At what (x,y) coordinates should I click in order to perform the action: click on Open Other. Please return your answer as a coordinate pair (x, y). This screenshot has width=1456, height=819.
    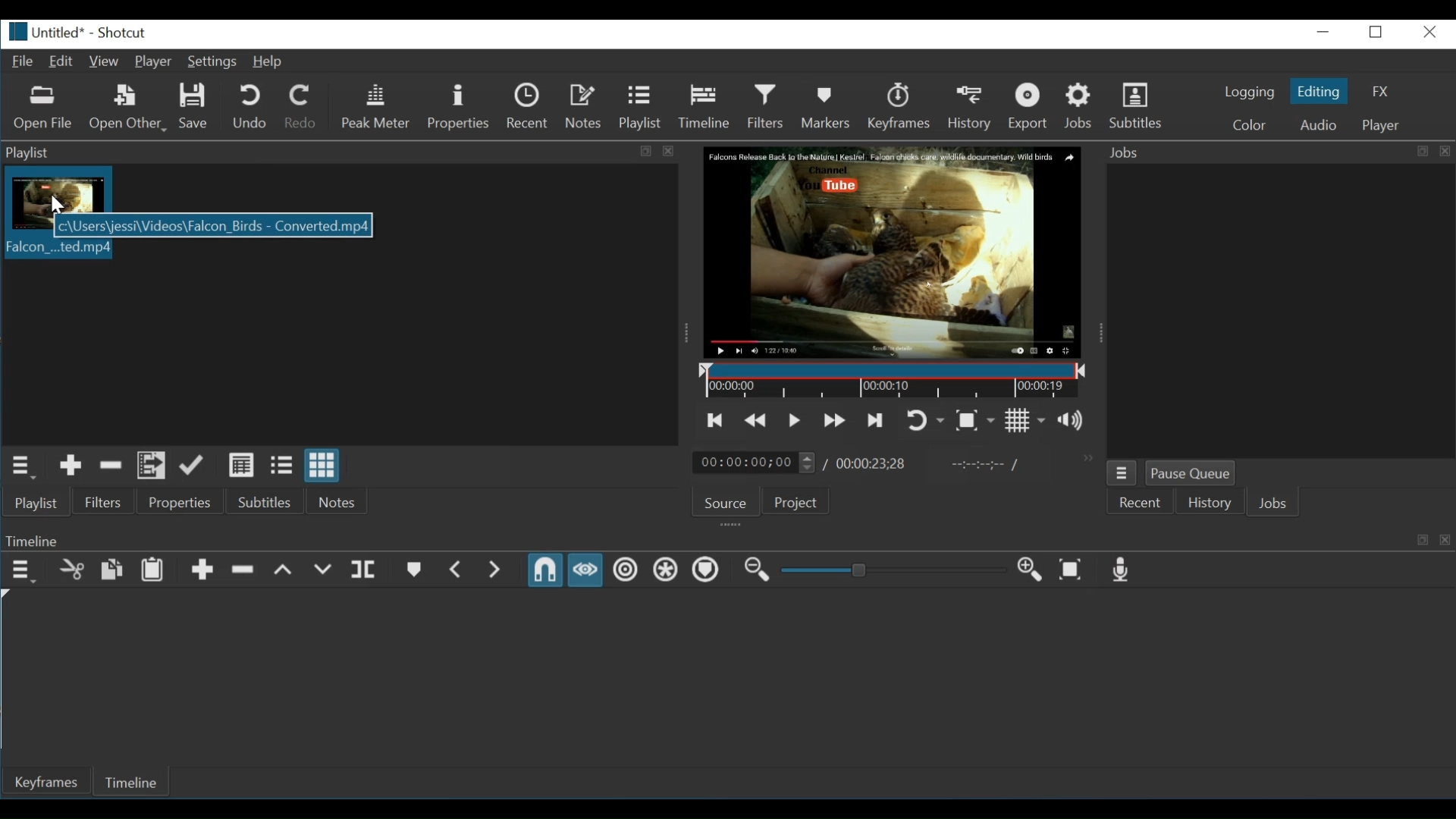
    Looking at the image, I should click on (129, 108).